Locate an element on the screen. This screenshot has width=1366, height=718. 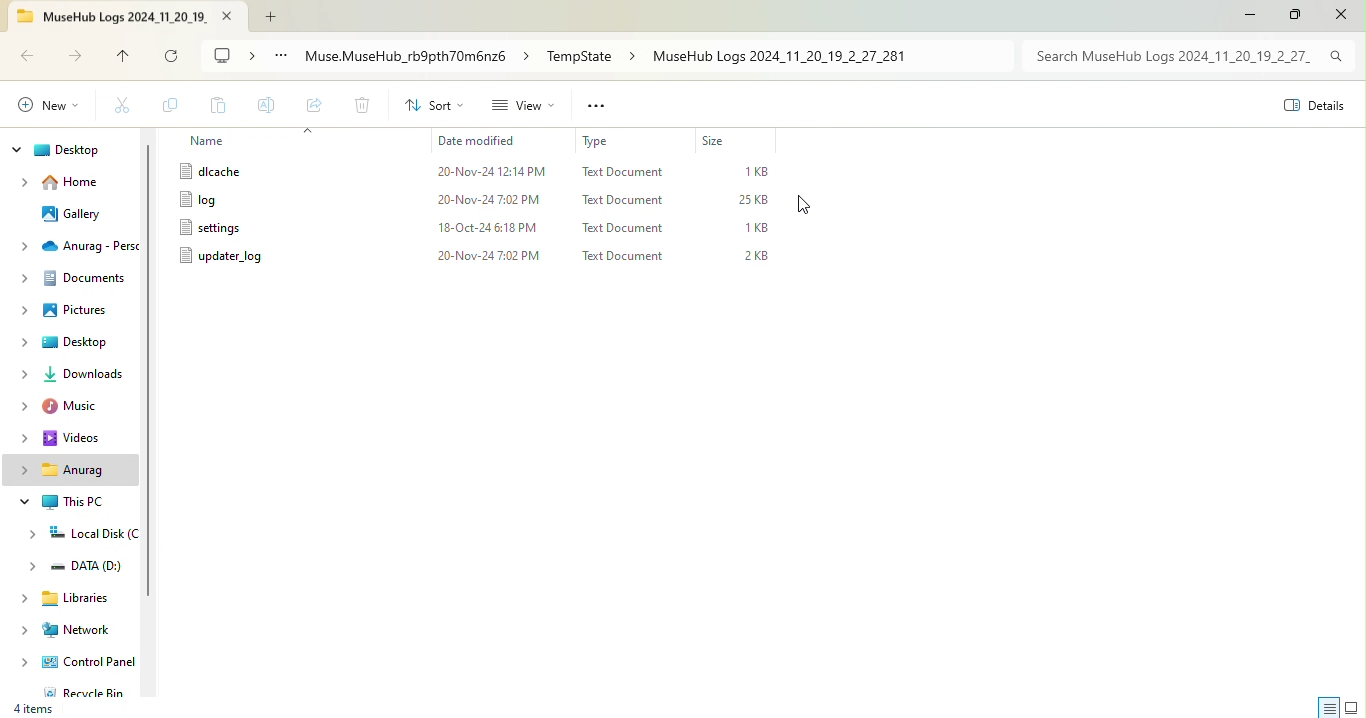
Libraries is located at coordinates (64, 599).